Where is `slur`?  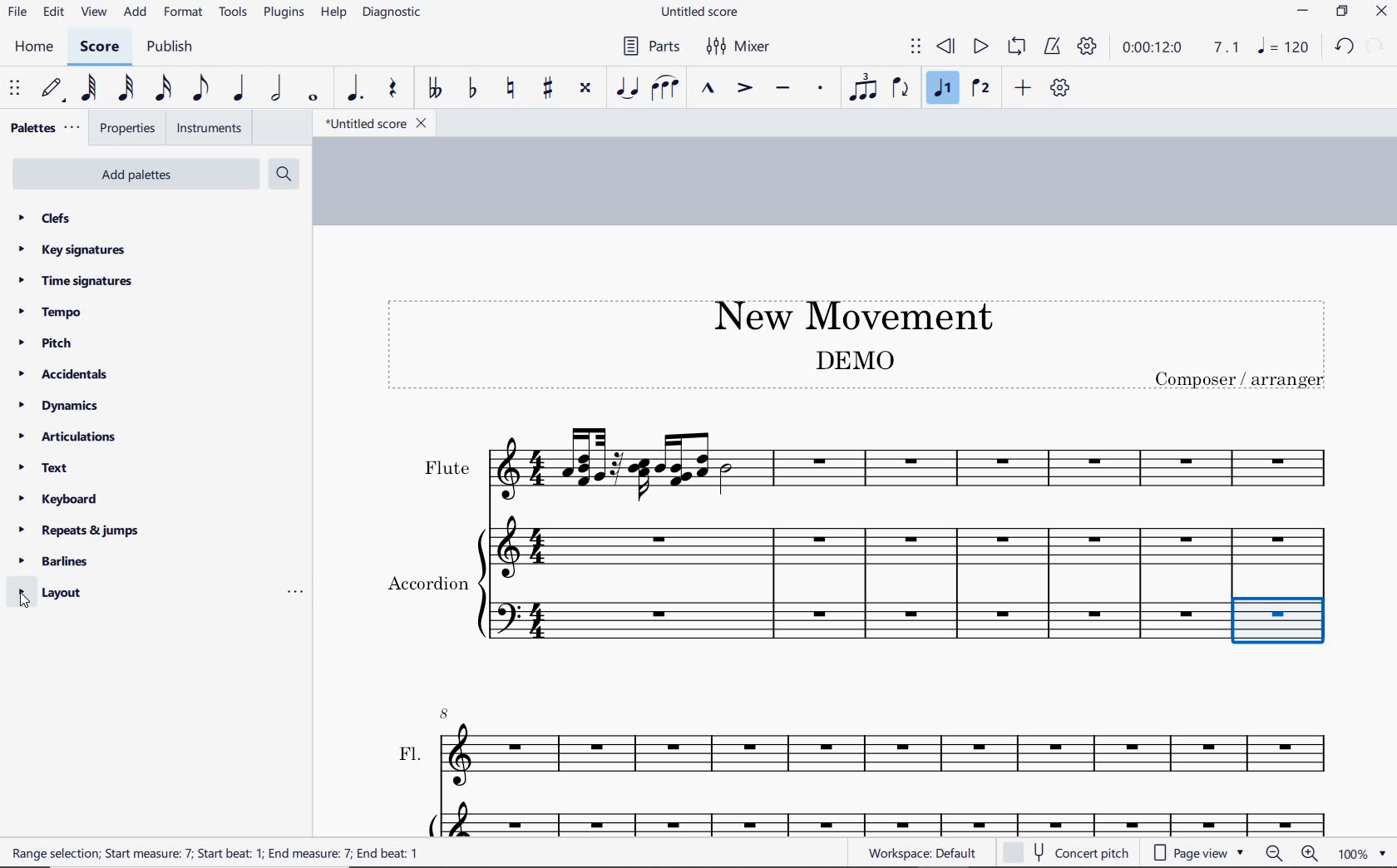 slur is located at coordinates (666, 89).